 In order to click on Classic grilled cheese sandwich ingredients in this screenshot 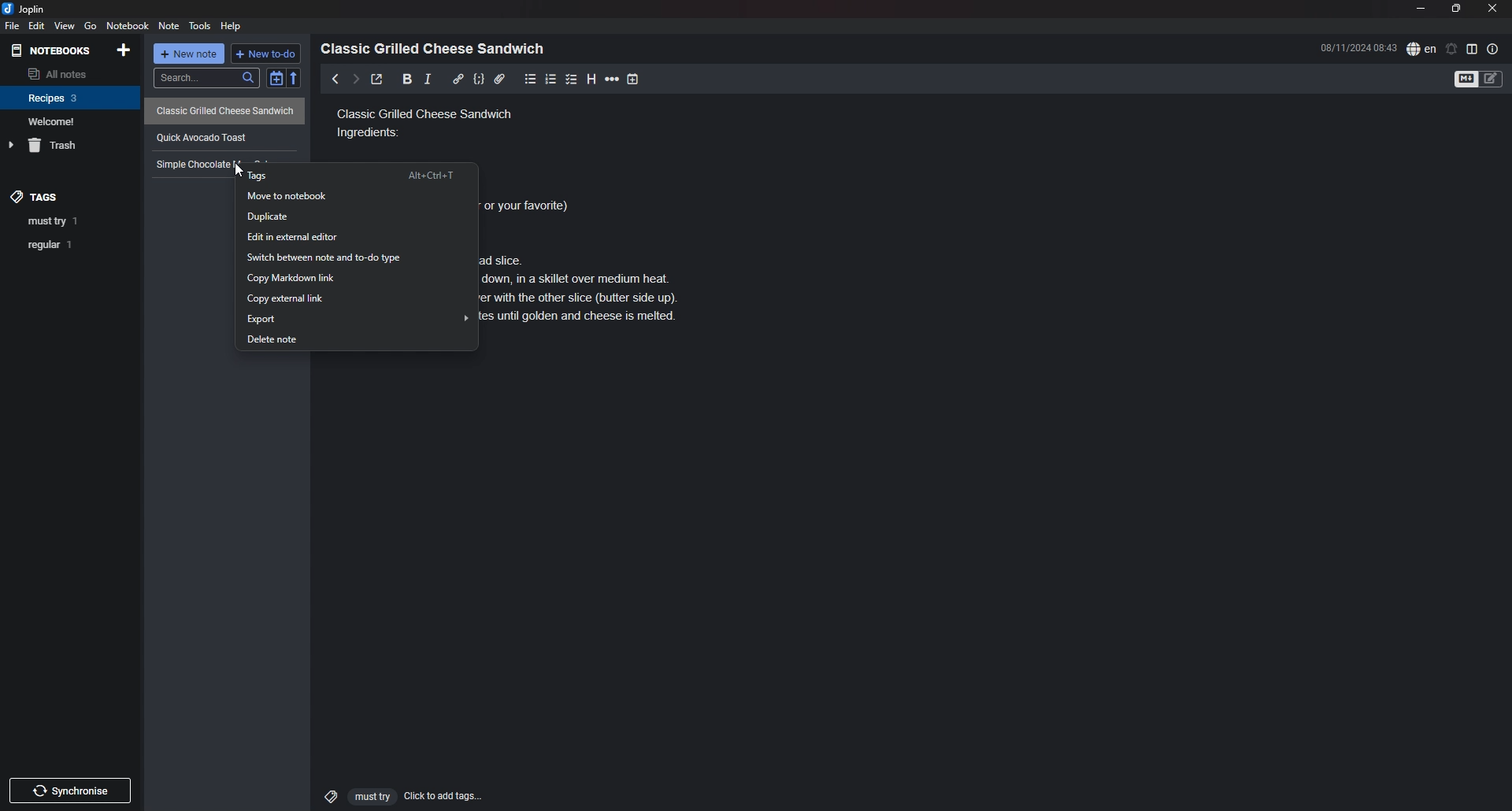, I will do `click(524, 124)`.